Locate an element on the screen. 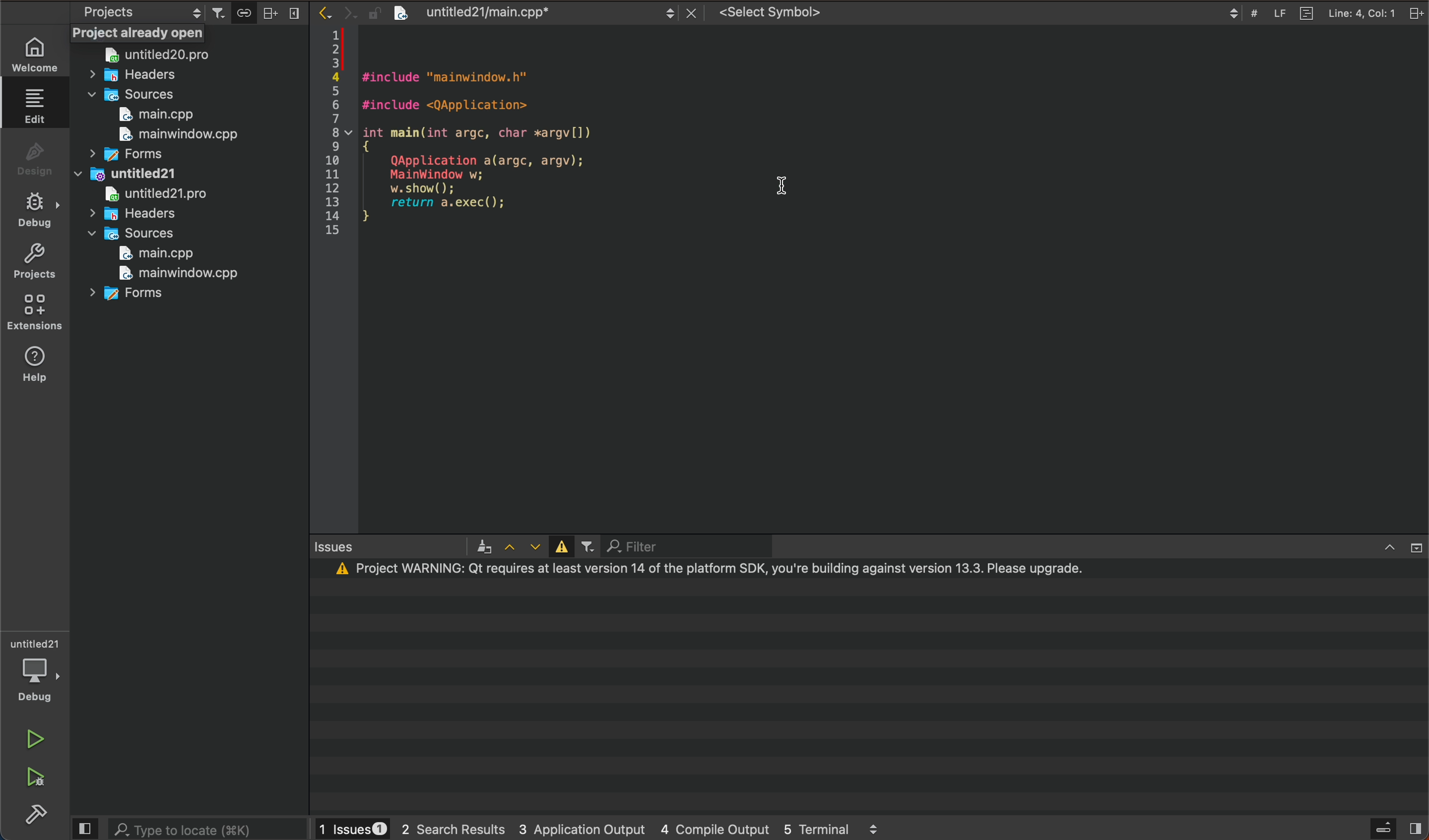  projects is located at coordinates (139, 12).